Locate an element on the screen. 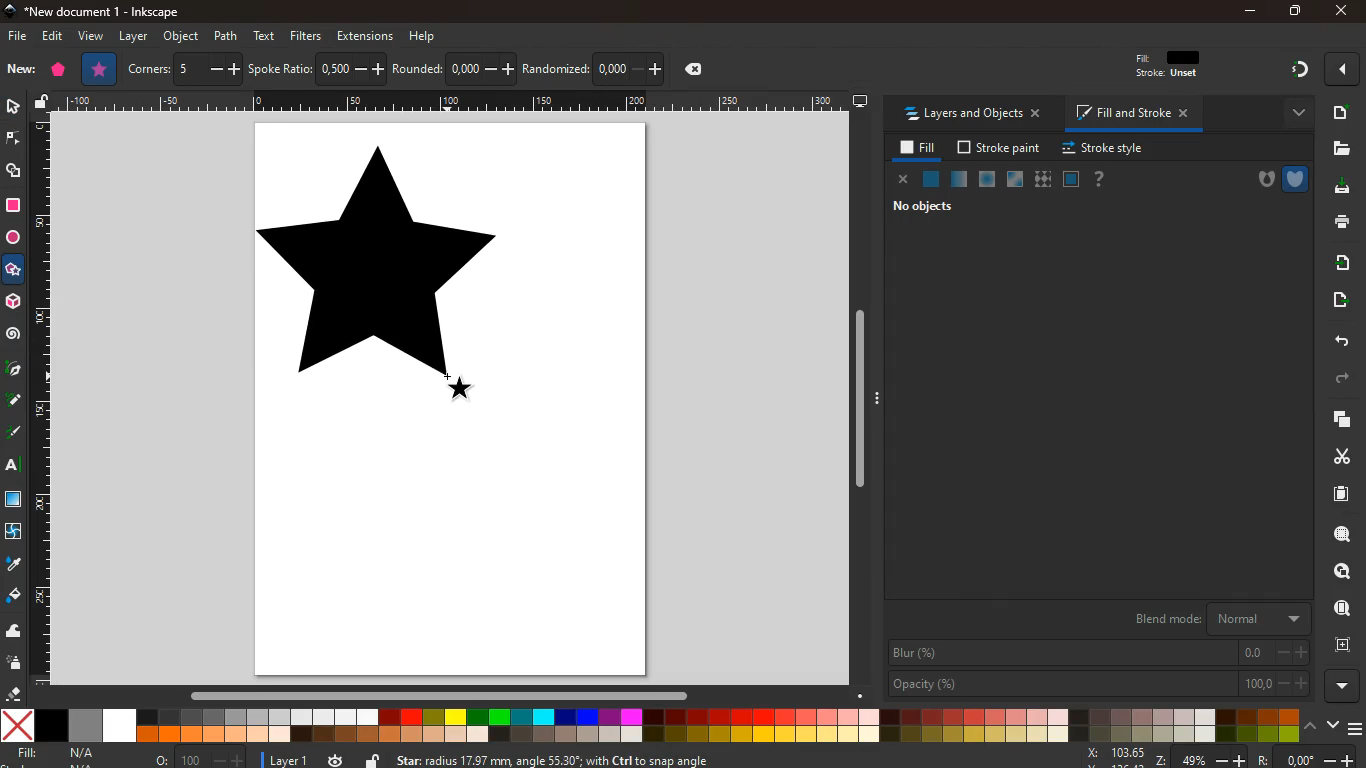 The width and height of the screenshot is (1366, 768). down is located at coordinates (1333, 726).